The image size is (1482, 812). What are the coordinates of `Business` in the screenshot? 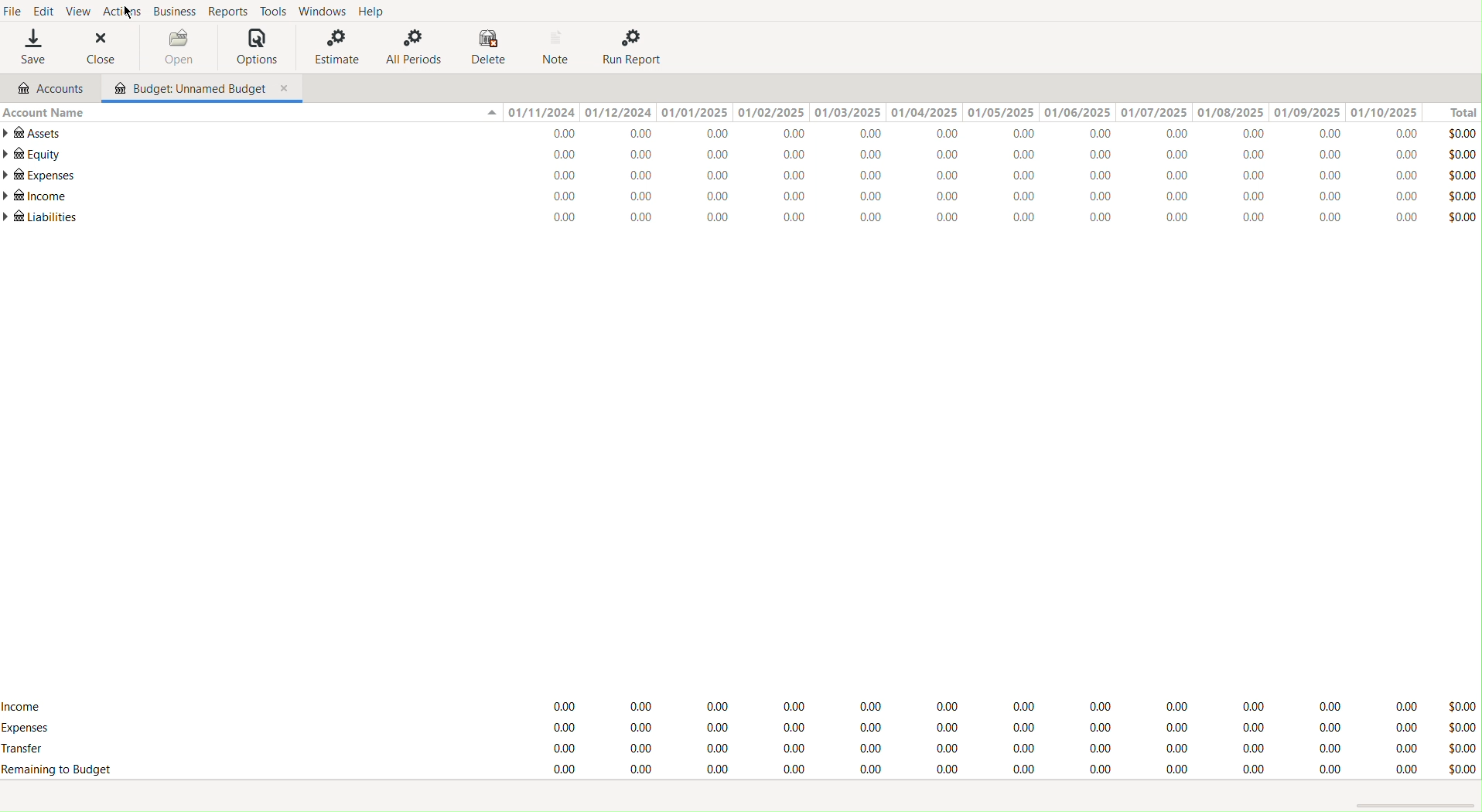 It's located at (176, 11).